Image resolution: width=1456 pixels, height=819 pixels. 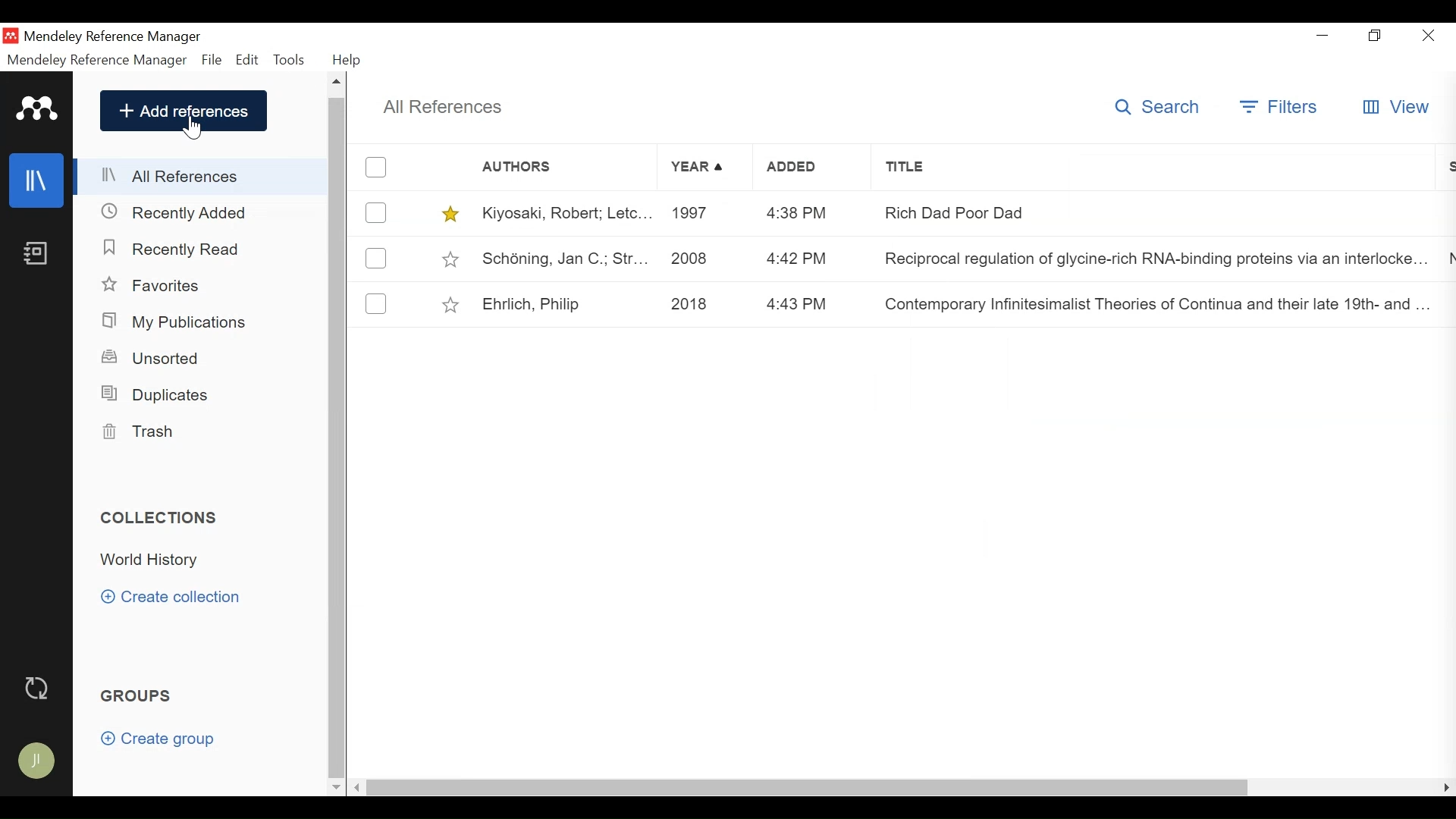 I want to click on Recently Read, so click(x=180, y=249).